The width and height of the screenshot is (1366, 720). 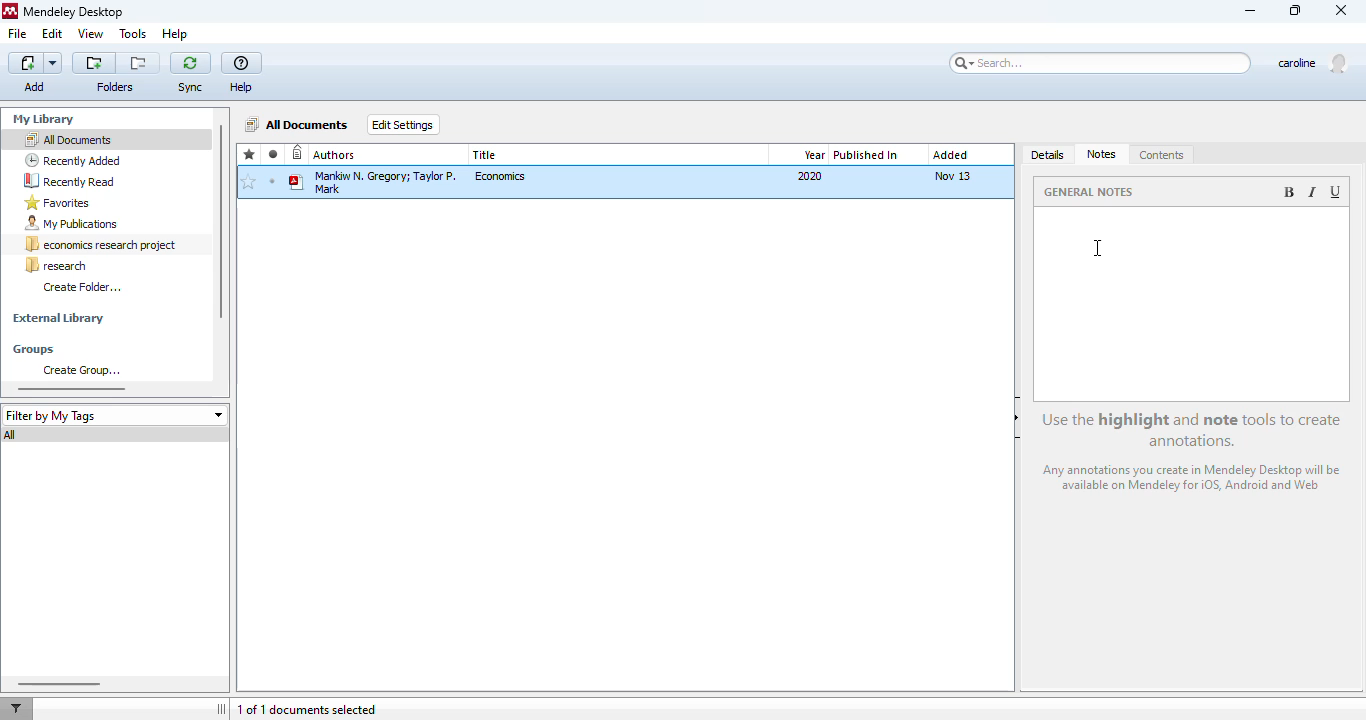 What do you see at coordinates (114, 87) in the screenshot?
I see `folder` at bounding box center [114, 87].